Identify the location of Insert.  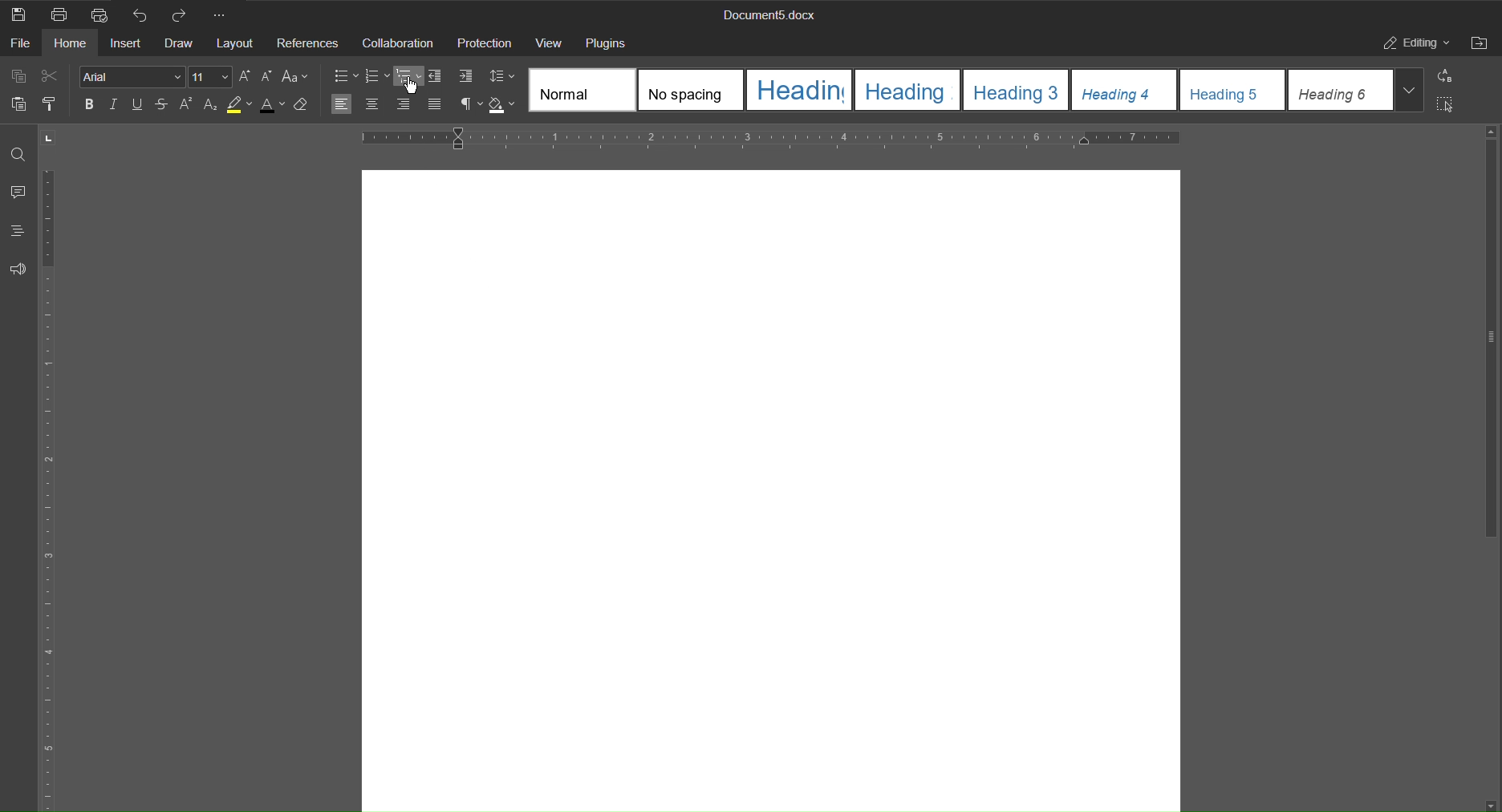
(127, 45).